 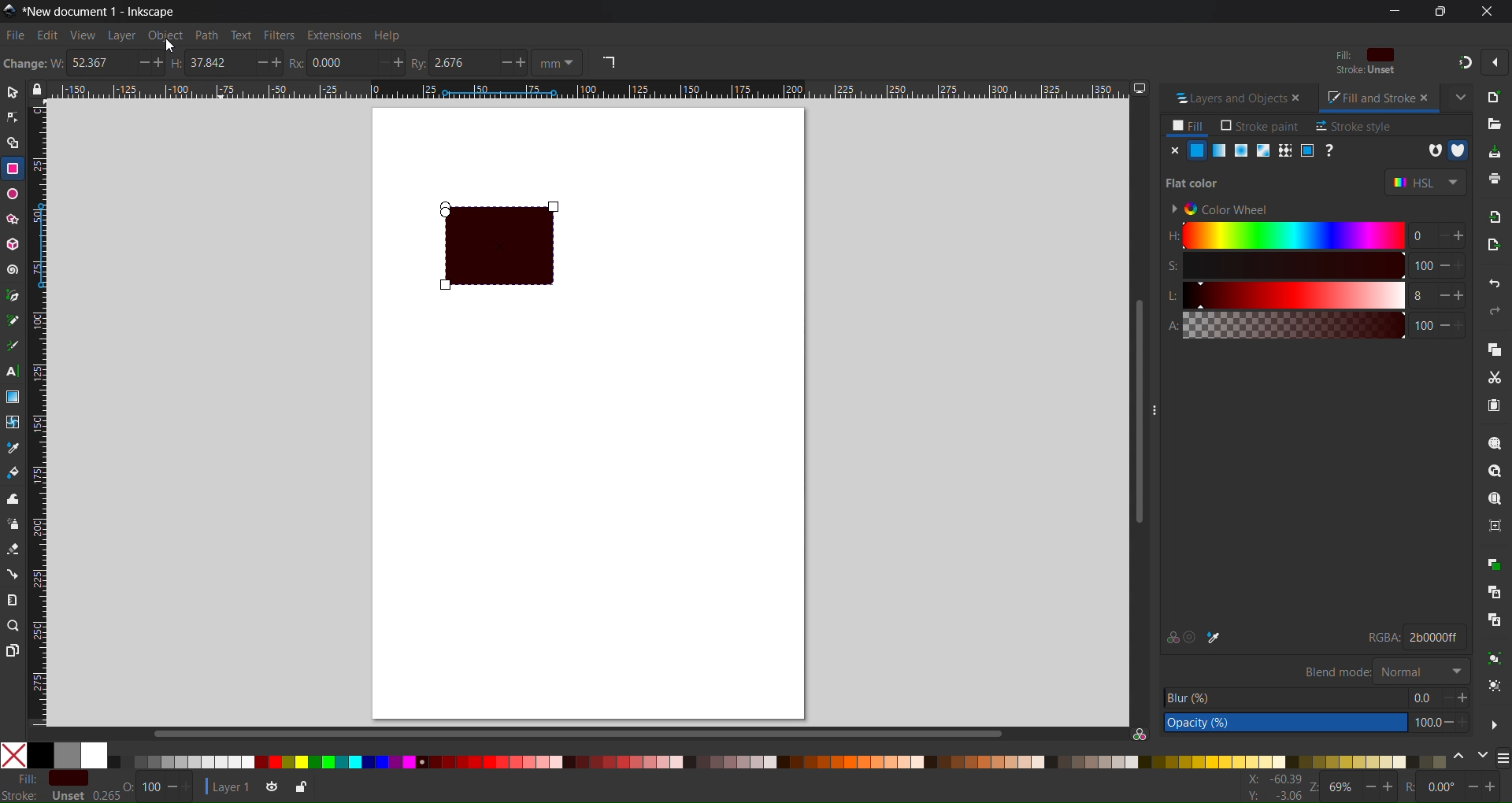 I want to click on Radial gradient, so click(x=1240, y=150).